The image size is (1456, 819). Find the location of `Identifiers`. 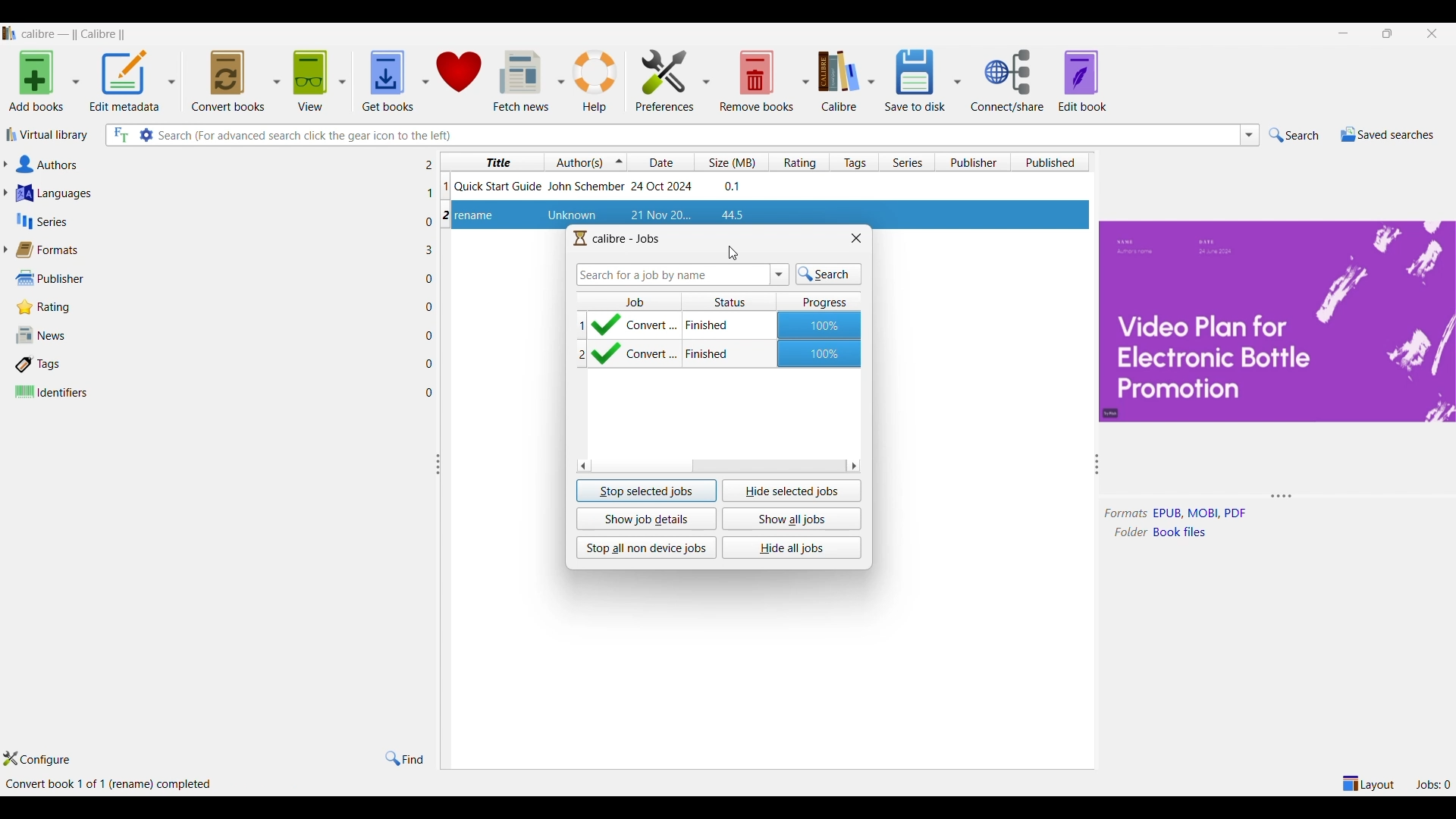

Identifiers is located at coordinates (215, 391).